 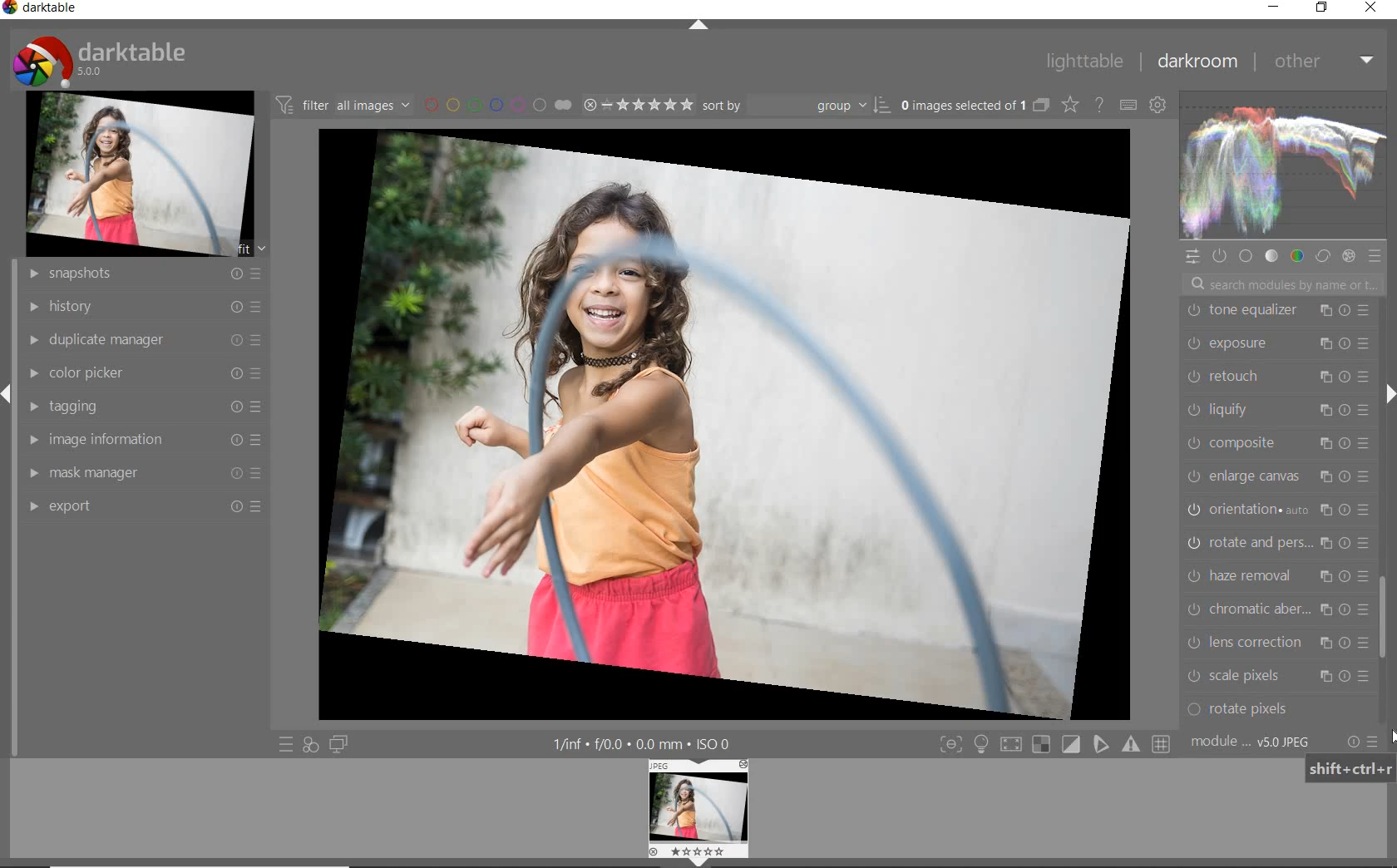 I want to click on retouch, so click(x=1276, y=377).